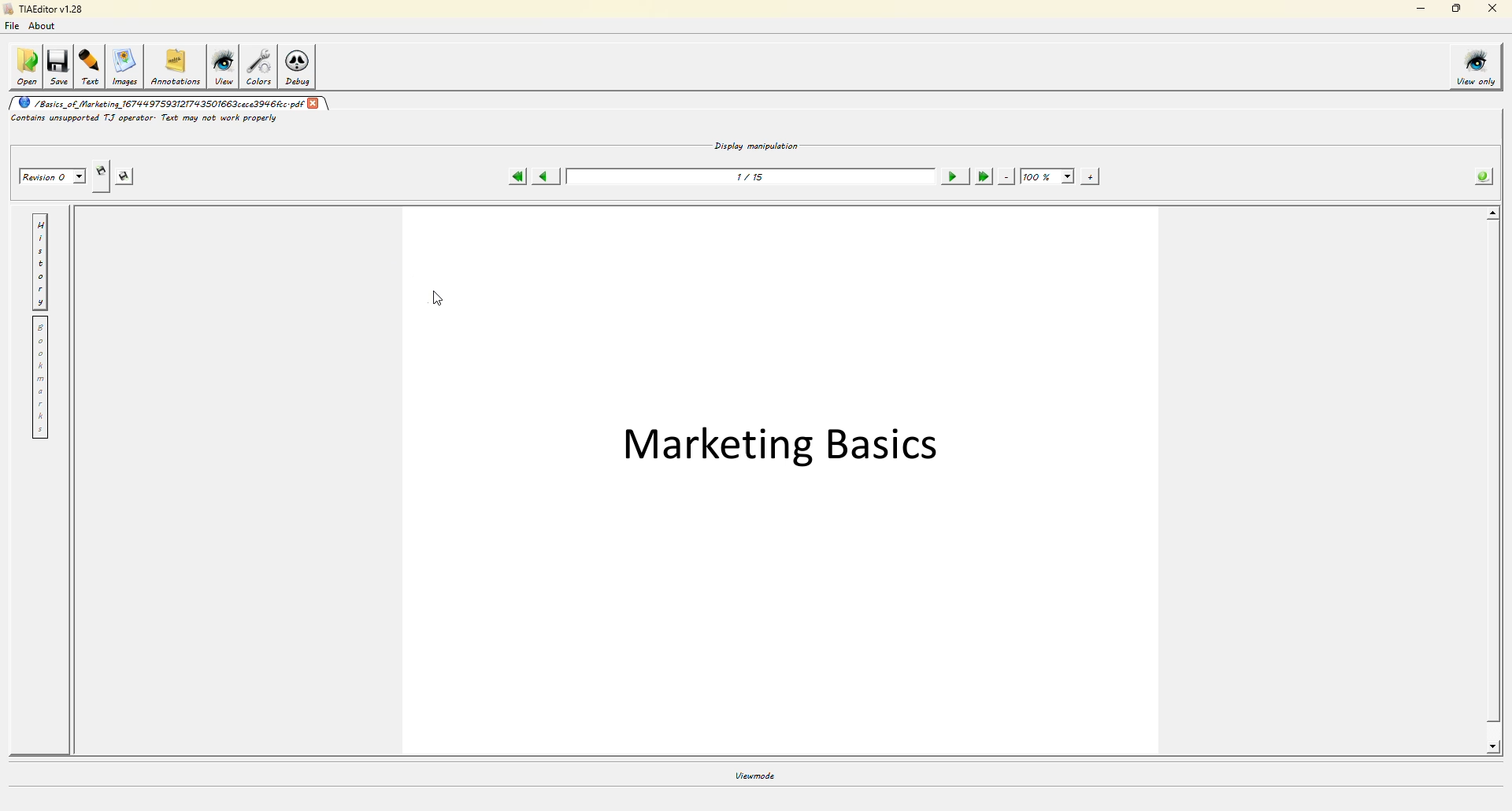  I want to click on next page, so click(954, 176).